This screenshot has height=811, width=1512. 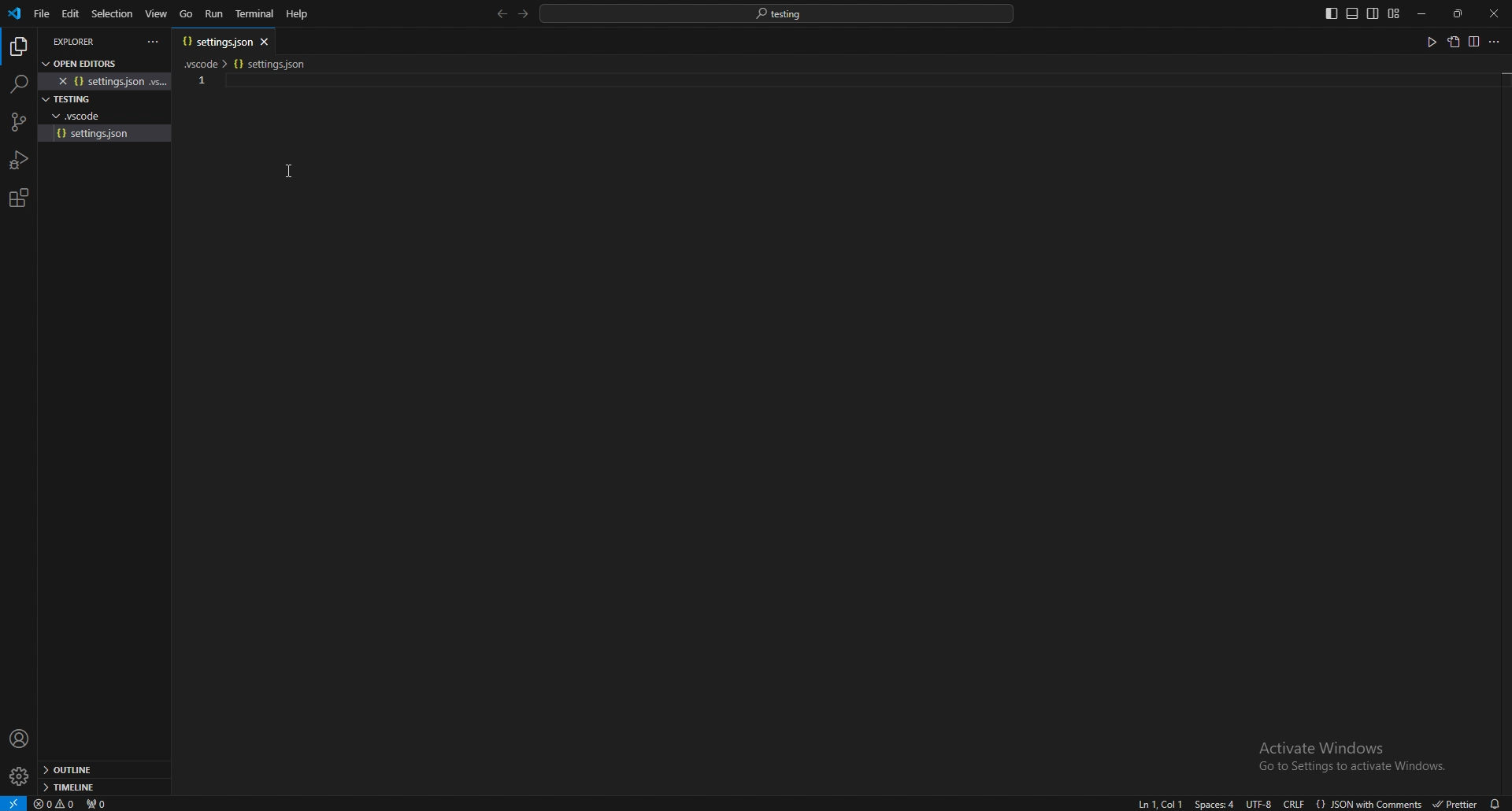 What do you see at coordinates (1159, 803) in the screenshot?
I see `go to line/column` at bounding box center [1159, 803].